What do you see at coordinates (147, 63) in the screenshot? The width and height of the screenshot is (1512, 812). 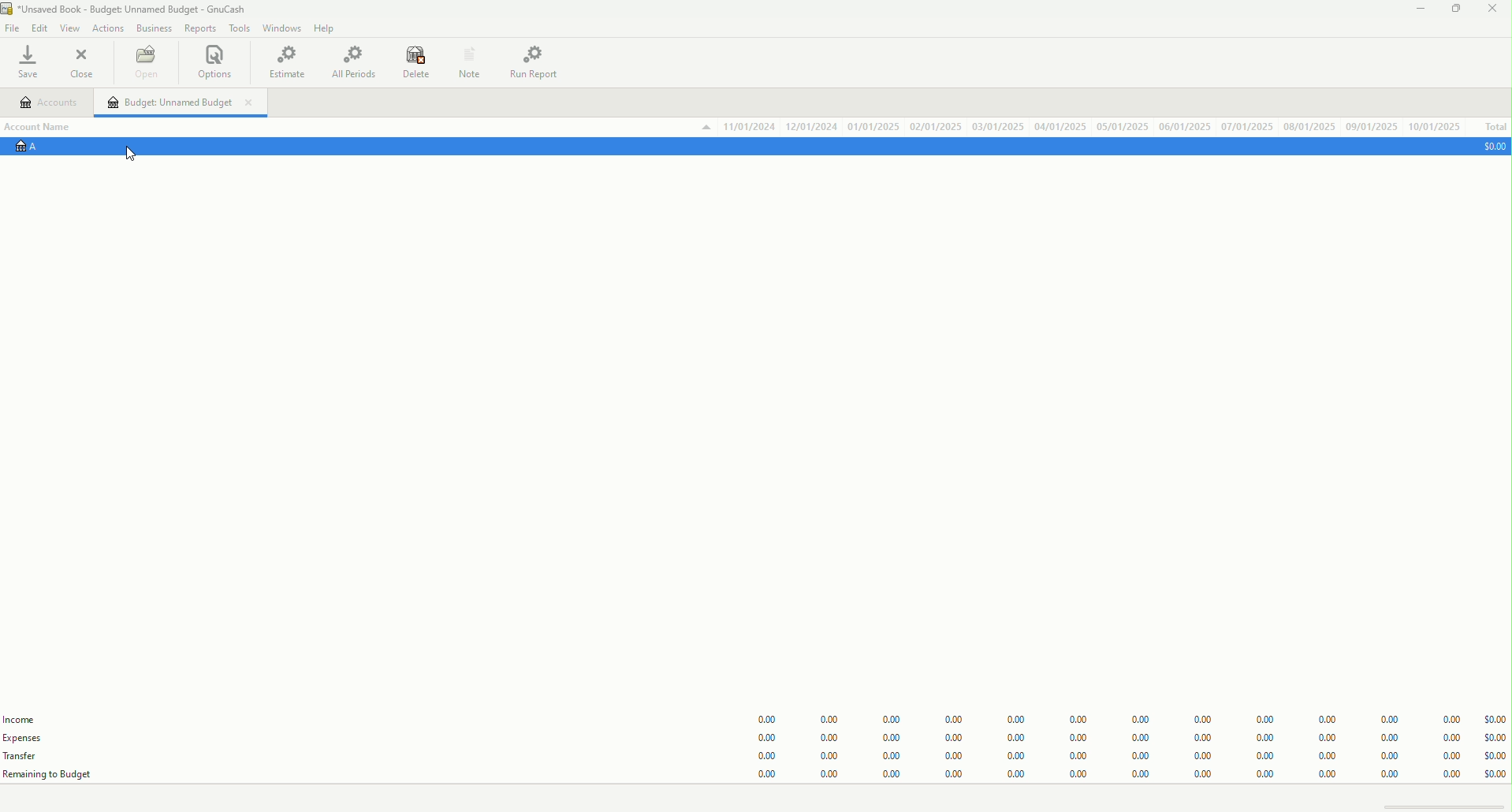 I see `Open` at bounding box center [147, 63].